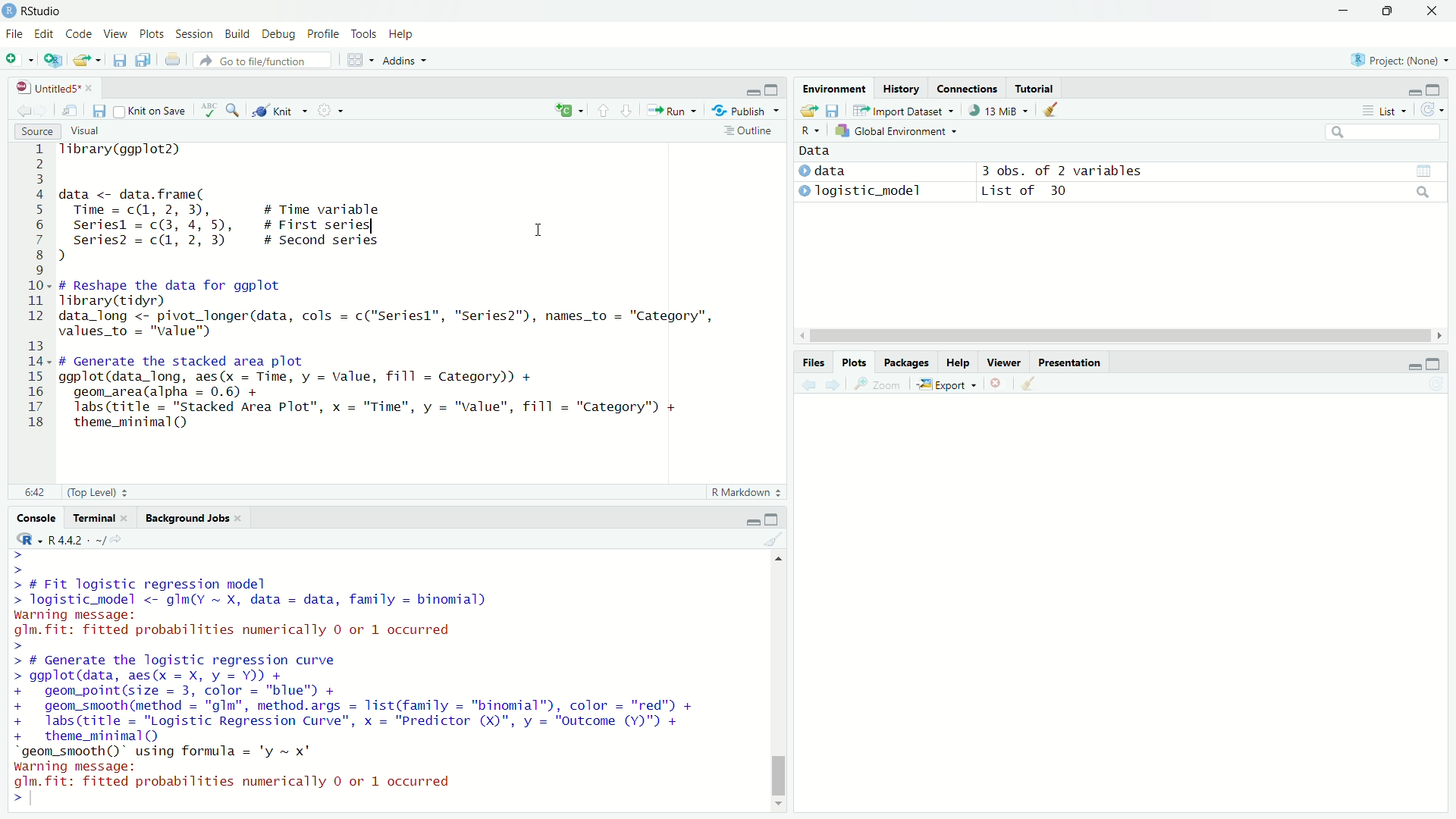  I want to click on «R442 -, so click(71, 537).